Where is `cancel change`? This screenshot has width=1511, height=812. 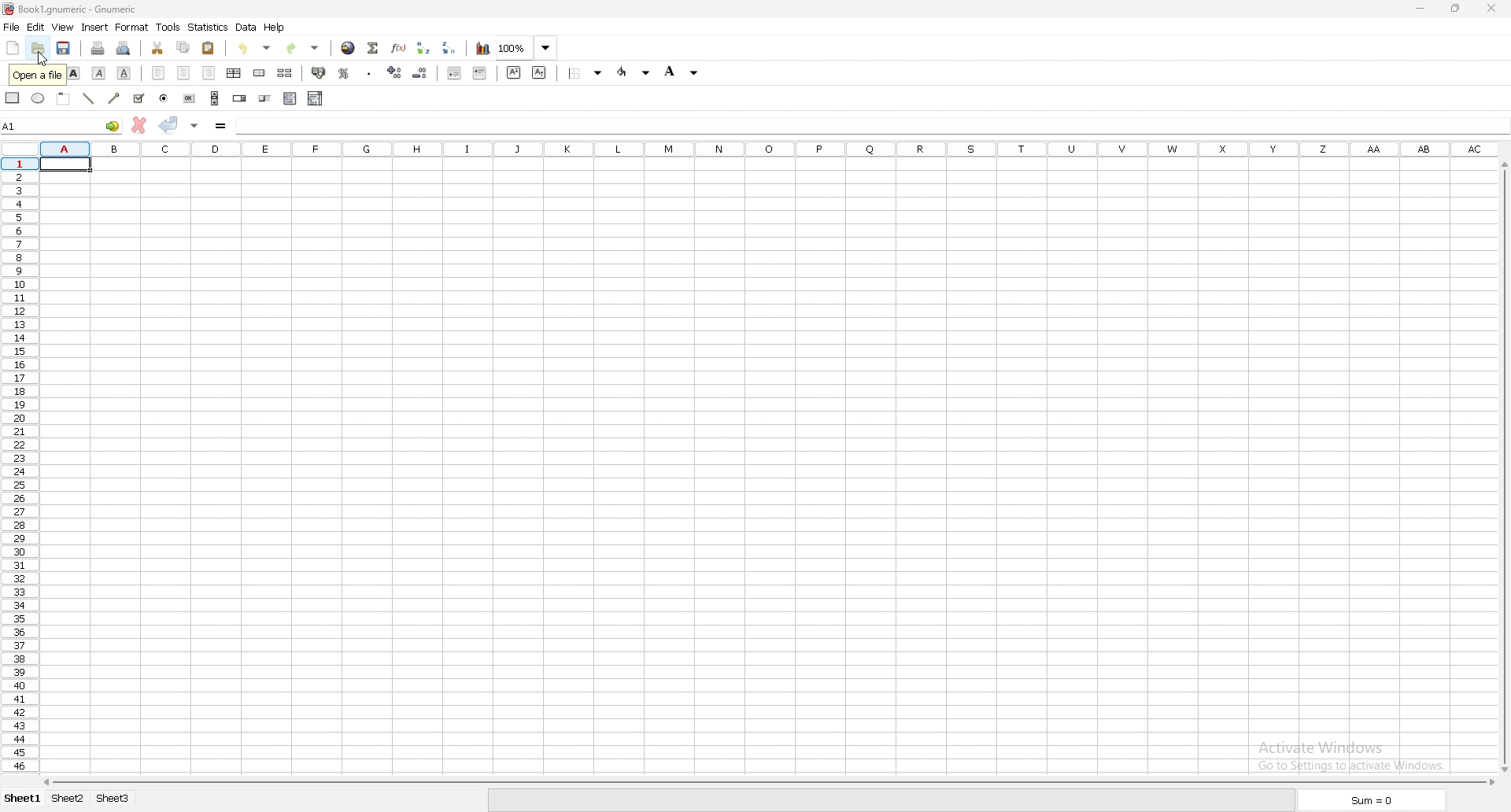 cancel change is located at coordinates (139, 124).